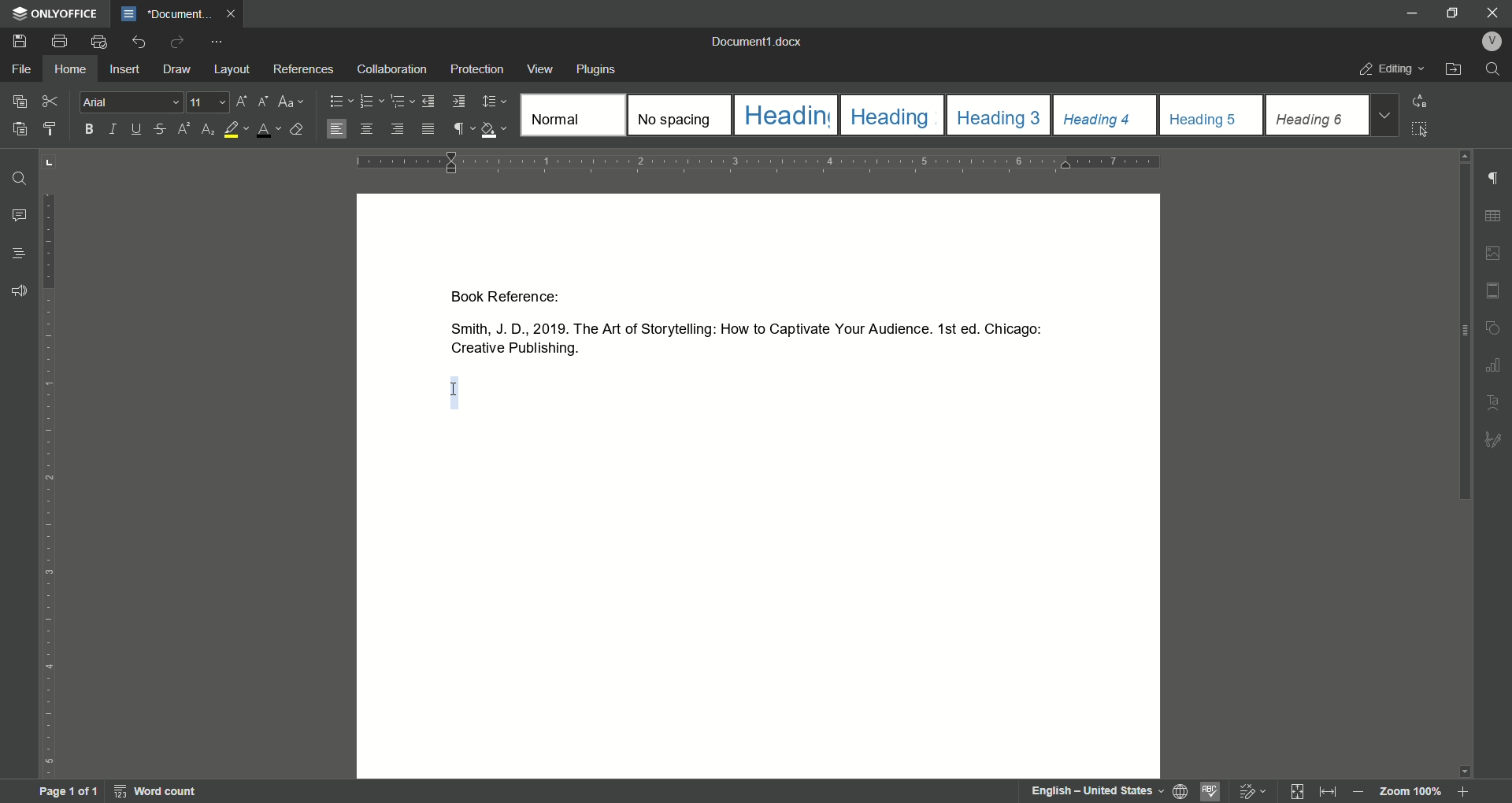 This screenshot has height=803, width=1512. I want to click on italic, so click(117, 129).